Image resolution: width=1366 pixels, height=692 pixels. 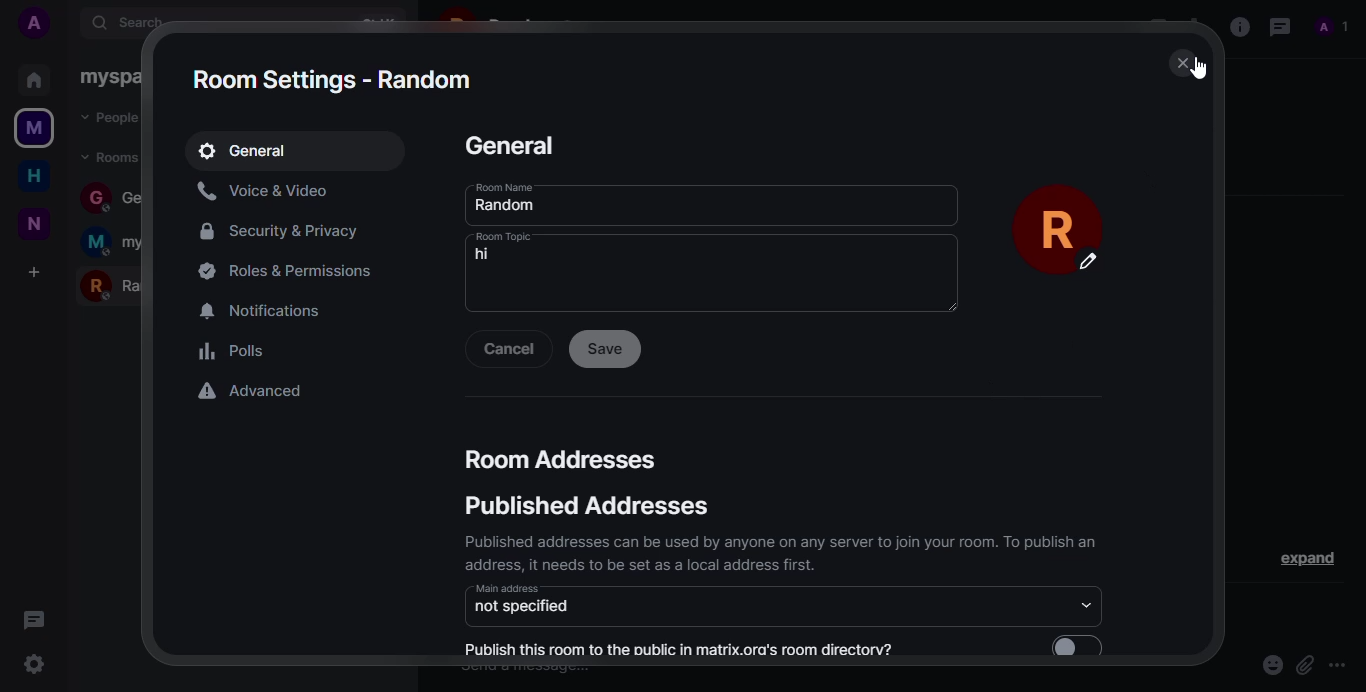 I want to click on room settings, so click(x=336, y=81).